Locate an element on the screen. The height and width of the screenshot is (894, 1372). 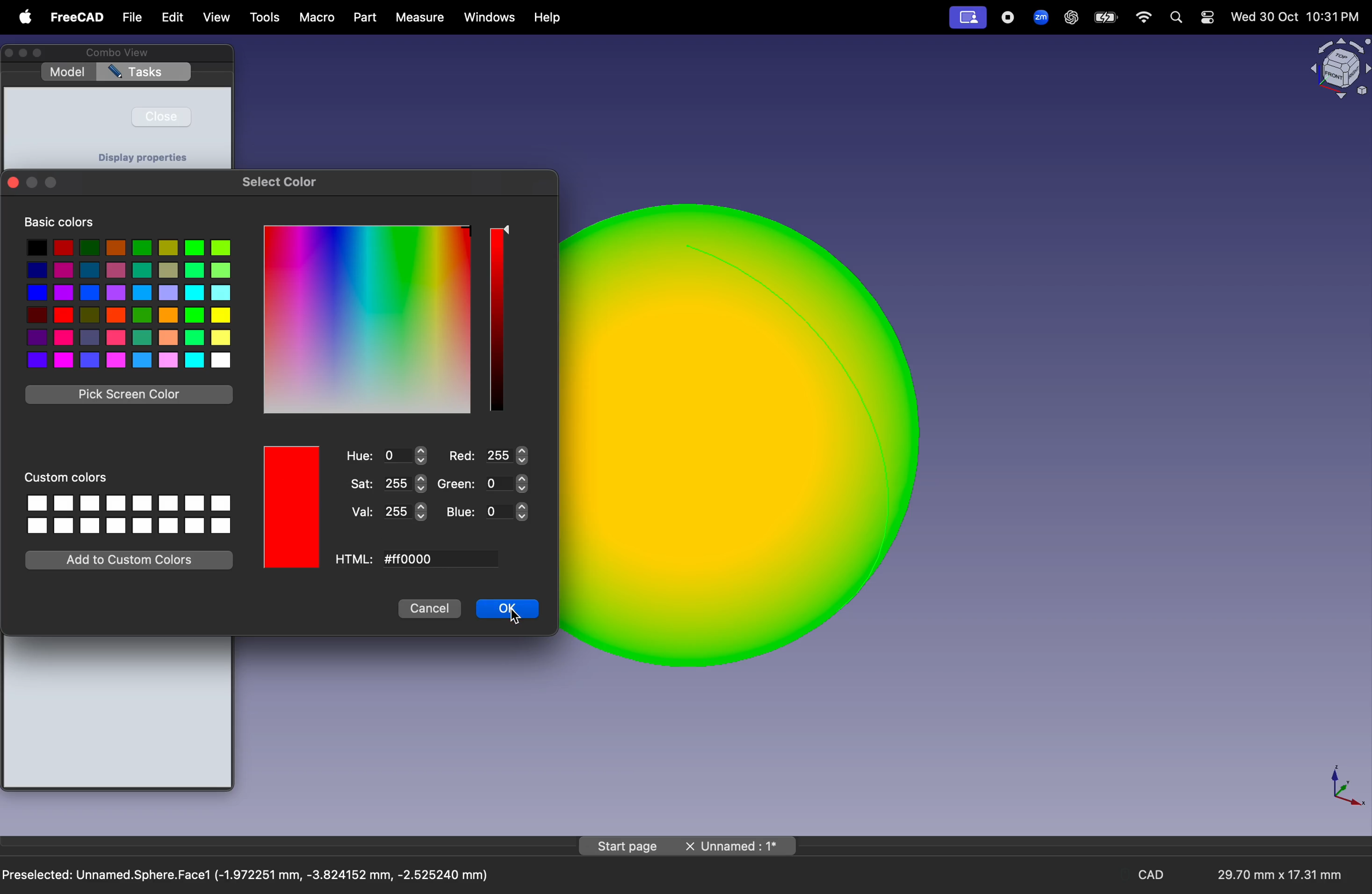
battery is located at coordinates (1106, 18).